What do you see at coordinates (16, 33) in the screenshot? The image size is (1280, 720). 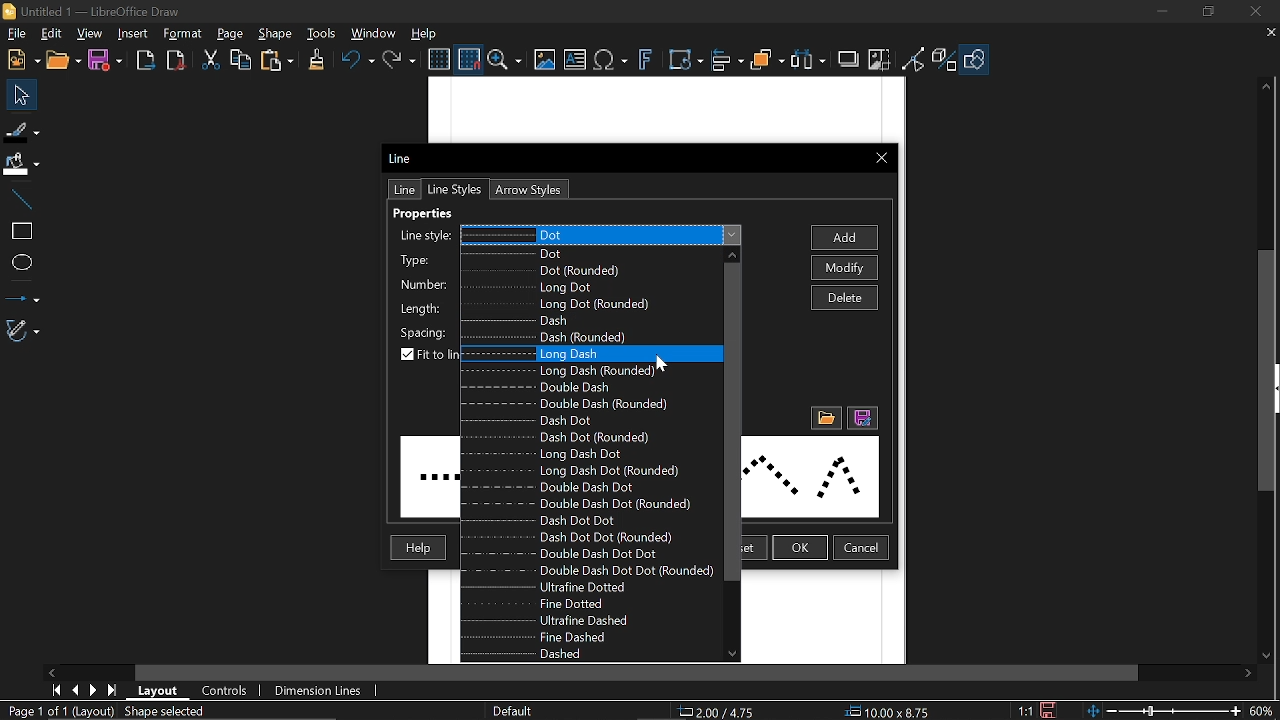 I see `File` at bounding box center [16, 33].